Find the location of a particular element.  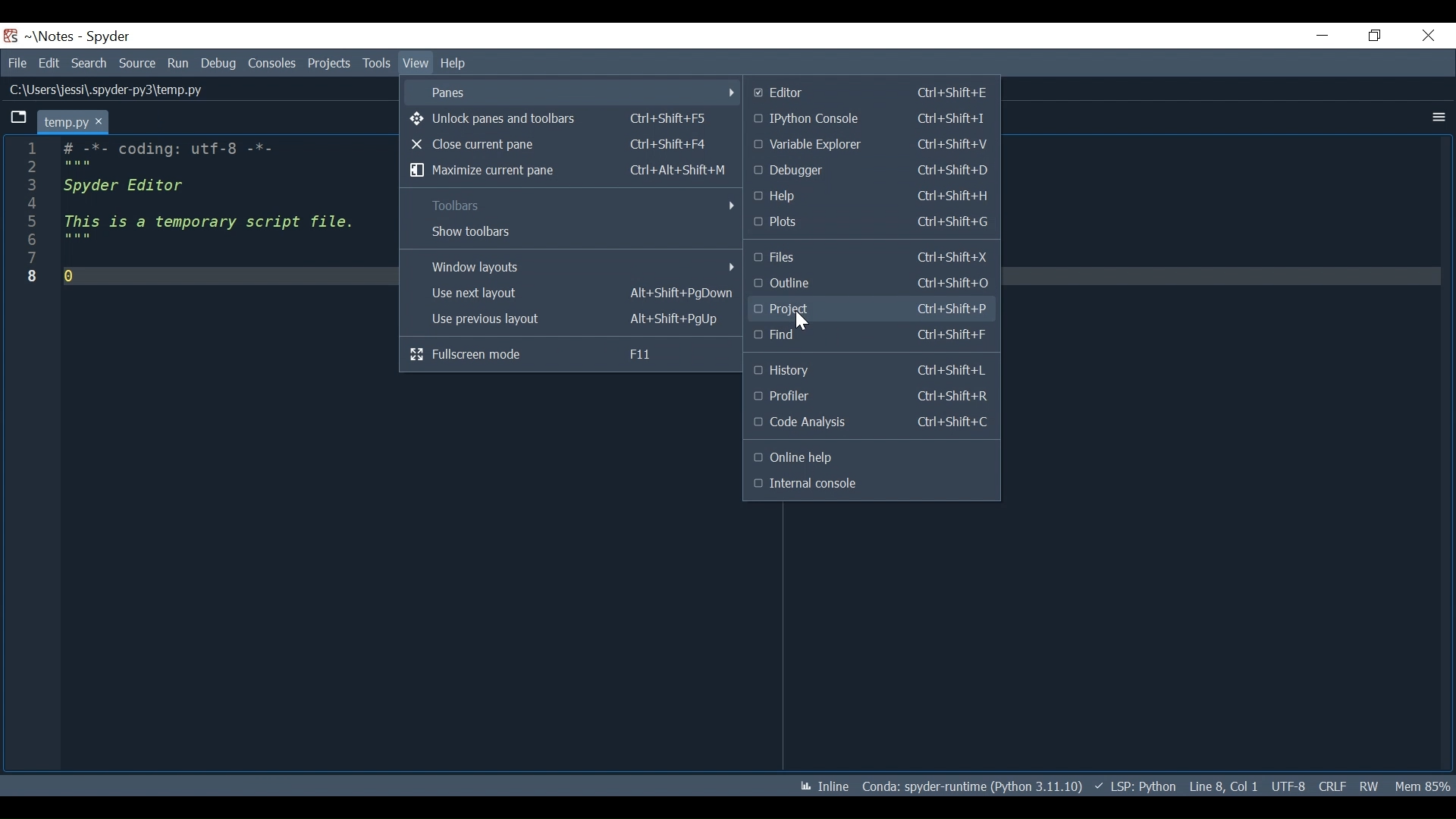

RW is located at coordinates (1373, 787).